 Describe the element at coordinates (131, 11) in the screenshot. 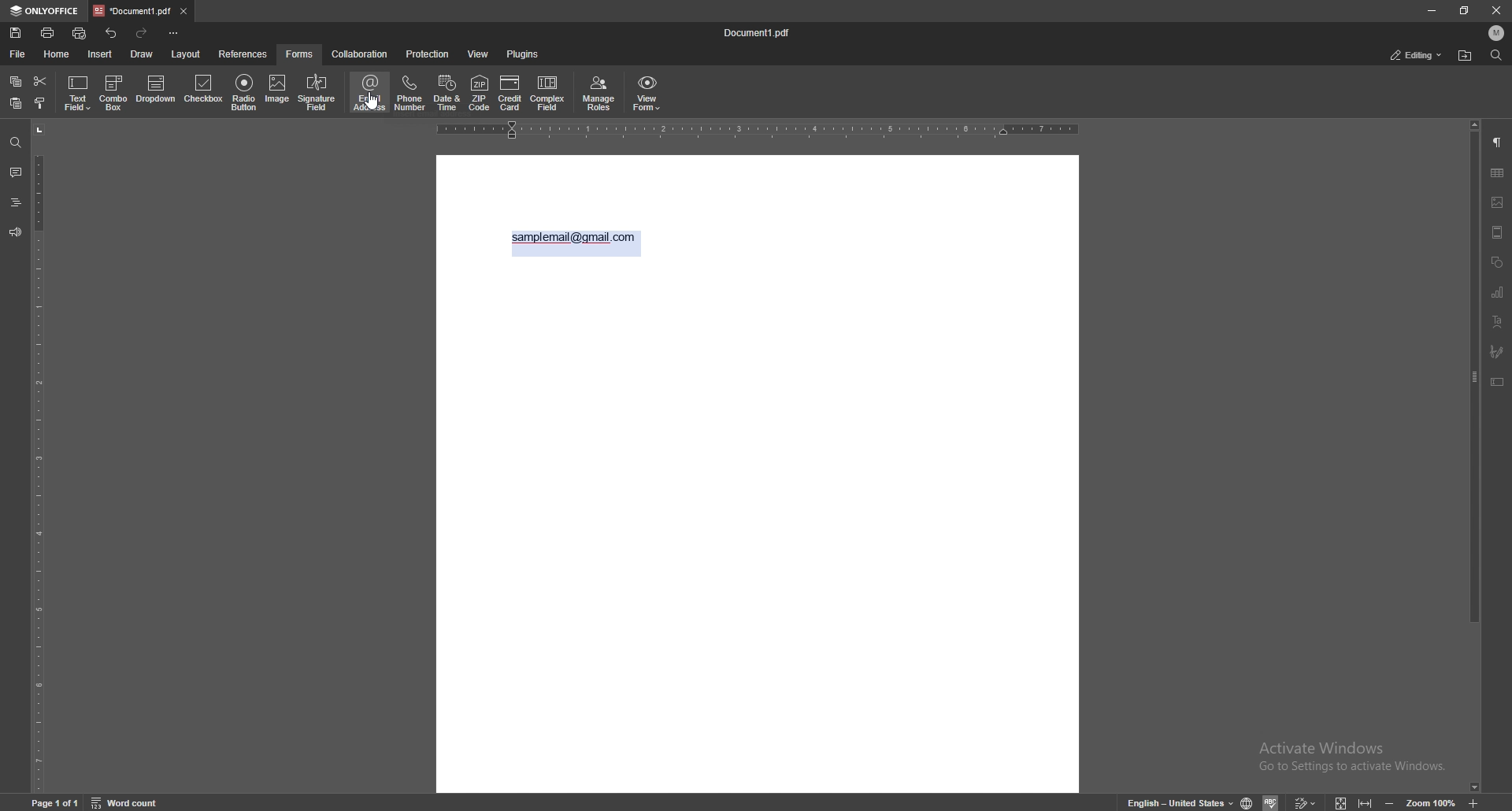

I see `tab` at that location.